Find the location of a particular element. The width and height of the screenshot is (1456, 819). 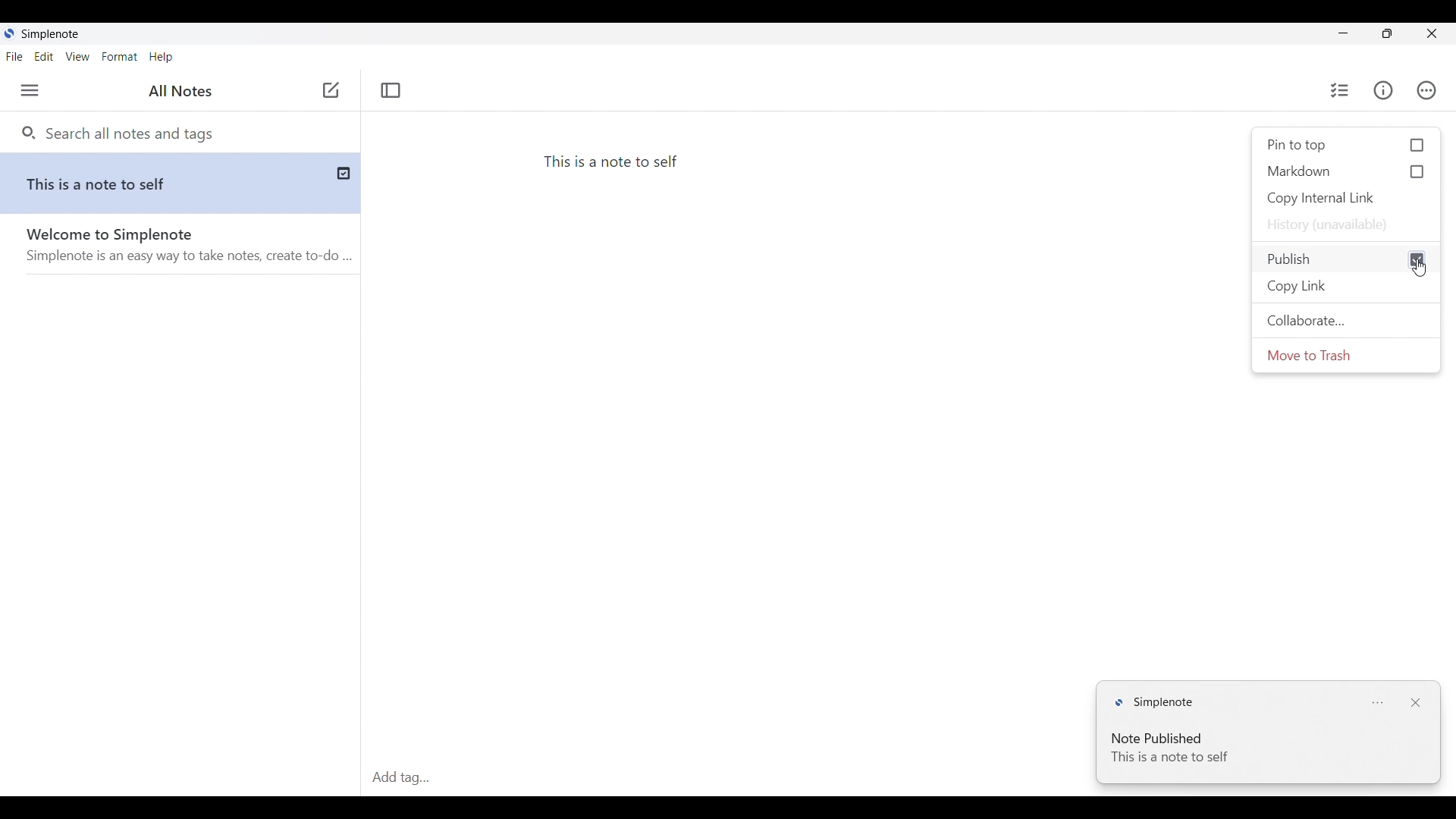

Welcome to Simplenote Simplenote is an easy way to take notes, create to-do ... is located at coordinates (190, 249).